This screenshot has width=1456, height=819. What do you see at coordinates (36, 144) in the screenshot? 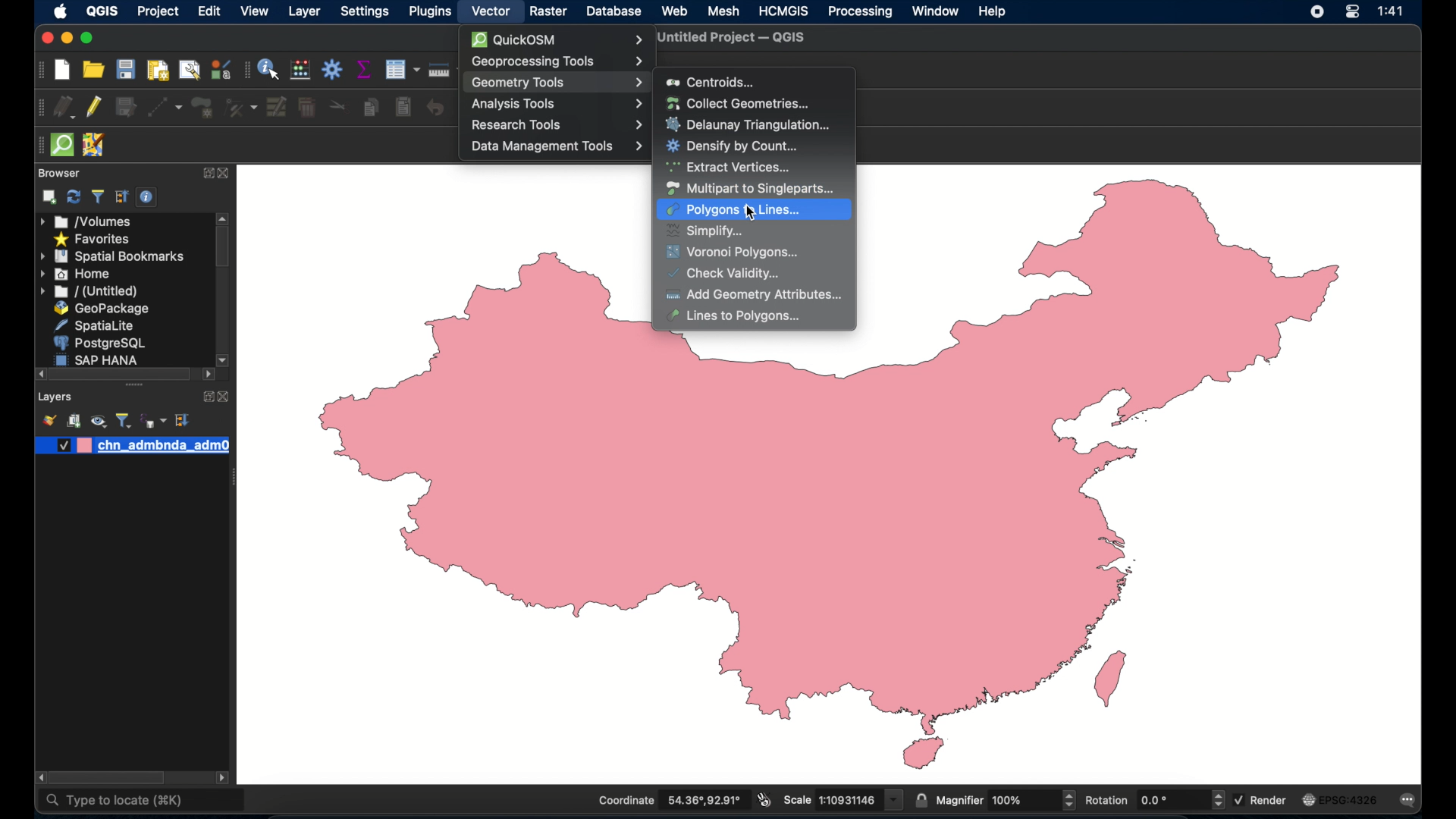
I see `drag handle` at bounding box center [36, 144].